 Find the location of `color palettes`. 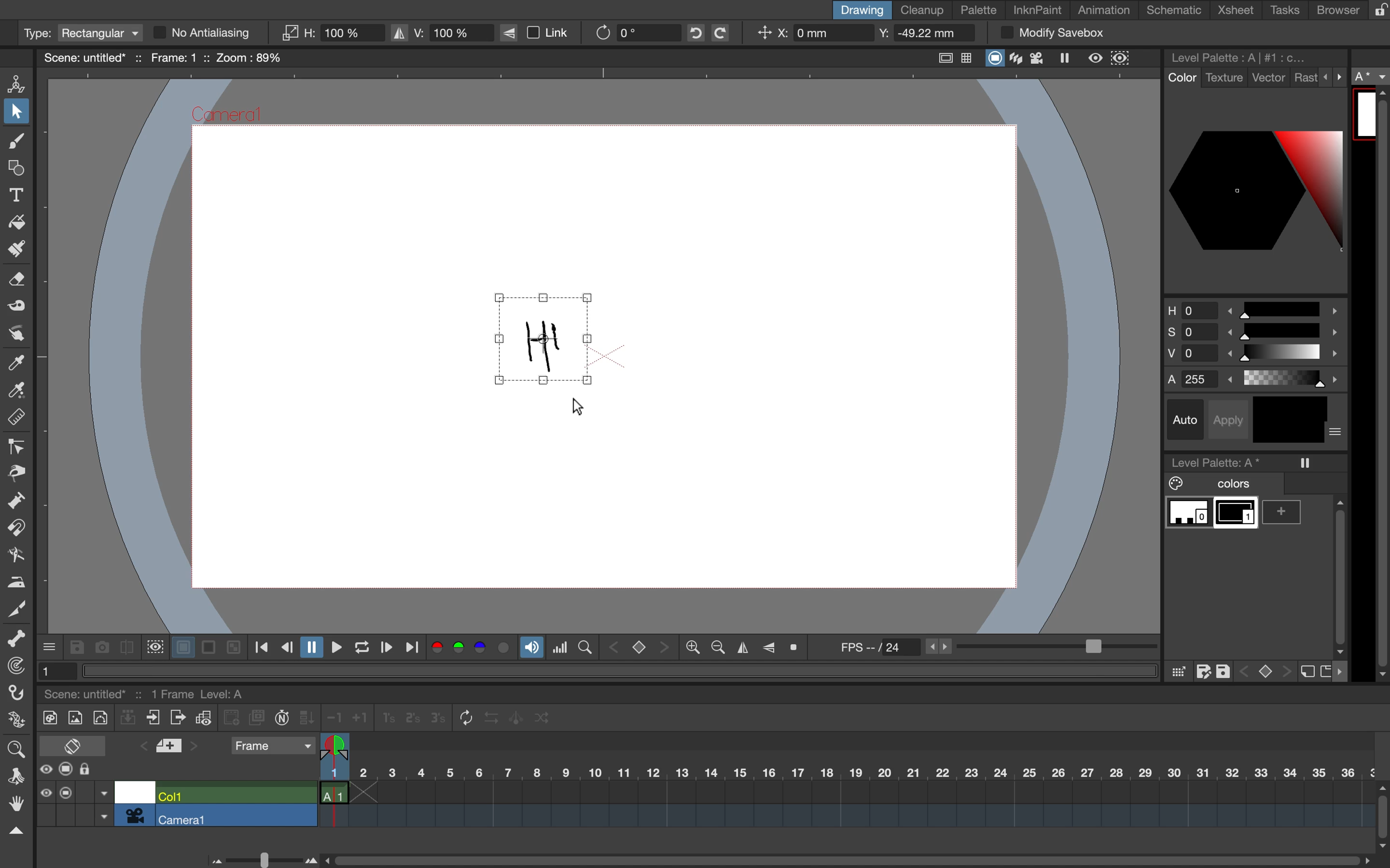

color palettes is located at coordinates (1255, 189).